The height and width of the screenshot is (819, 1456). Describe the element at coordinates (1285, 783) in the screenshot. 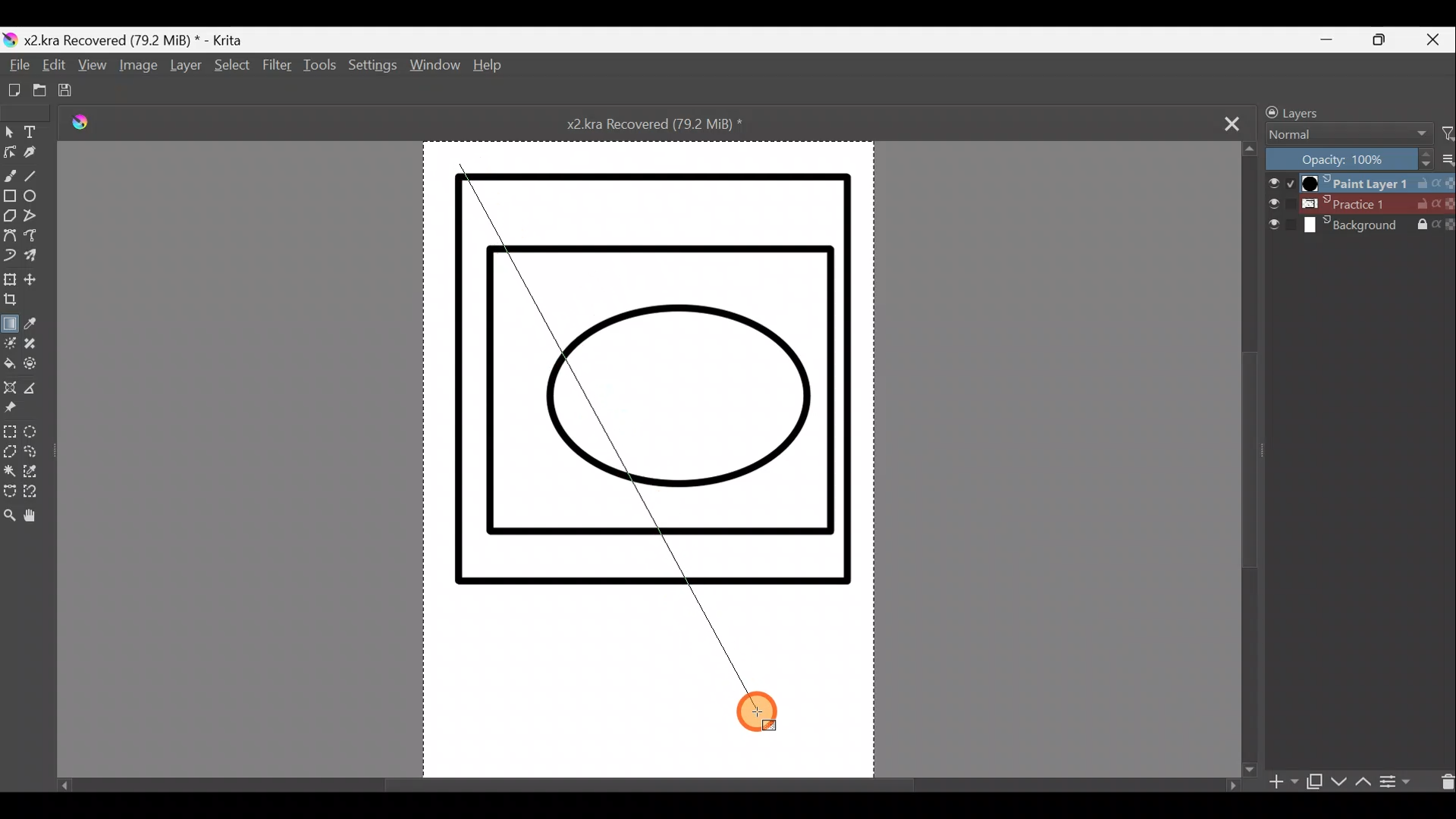

I see `Add layer/mask` at that location.